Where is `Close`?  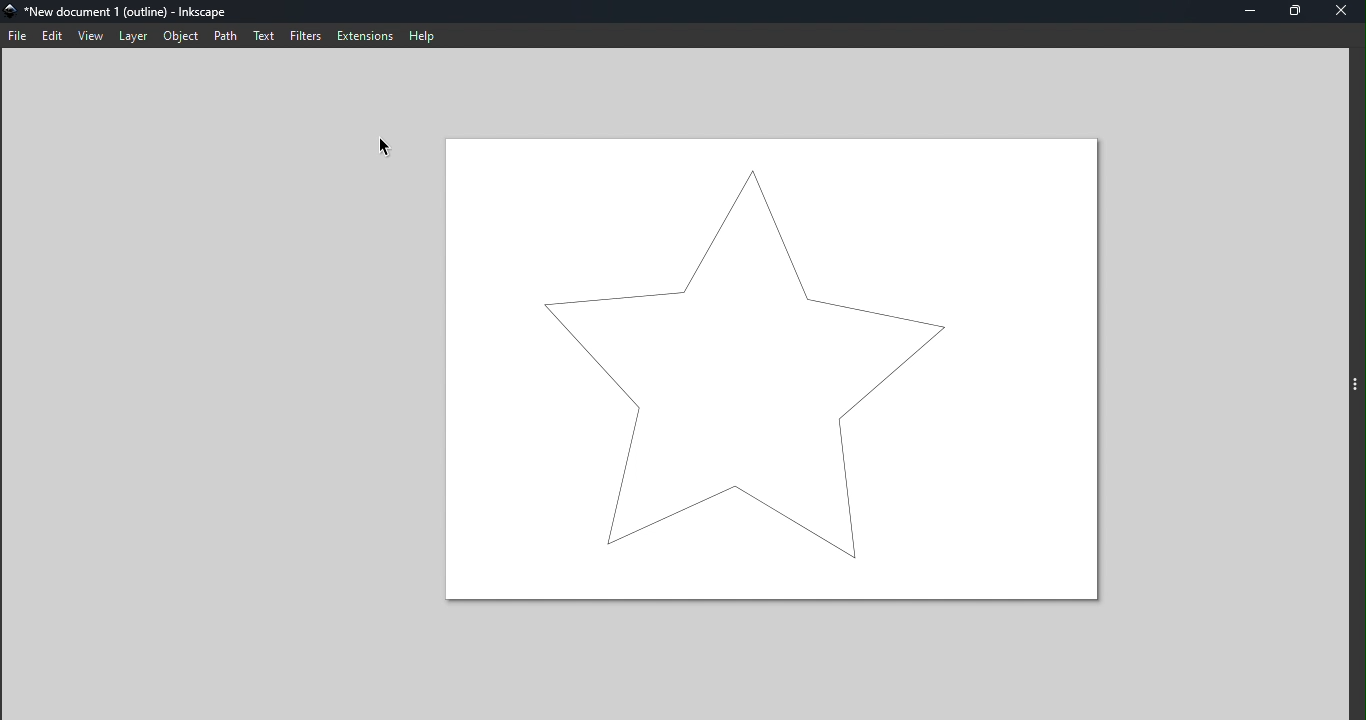
Close is located at coordinates (1342, 12).